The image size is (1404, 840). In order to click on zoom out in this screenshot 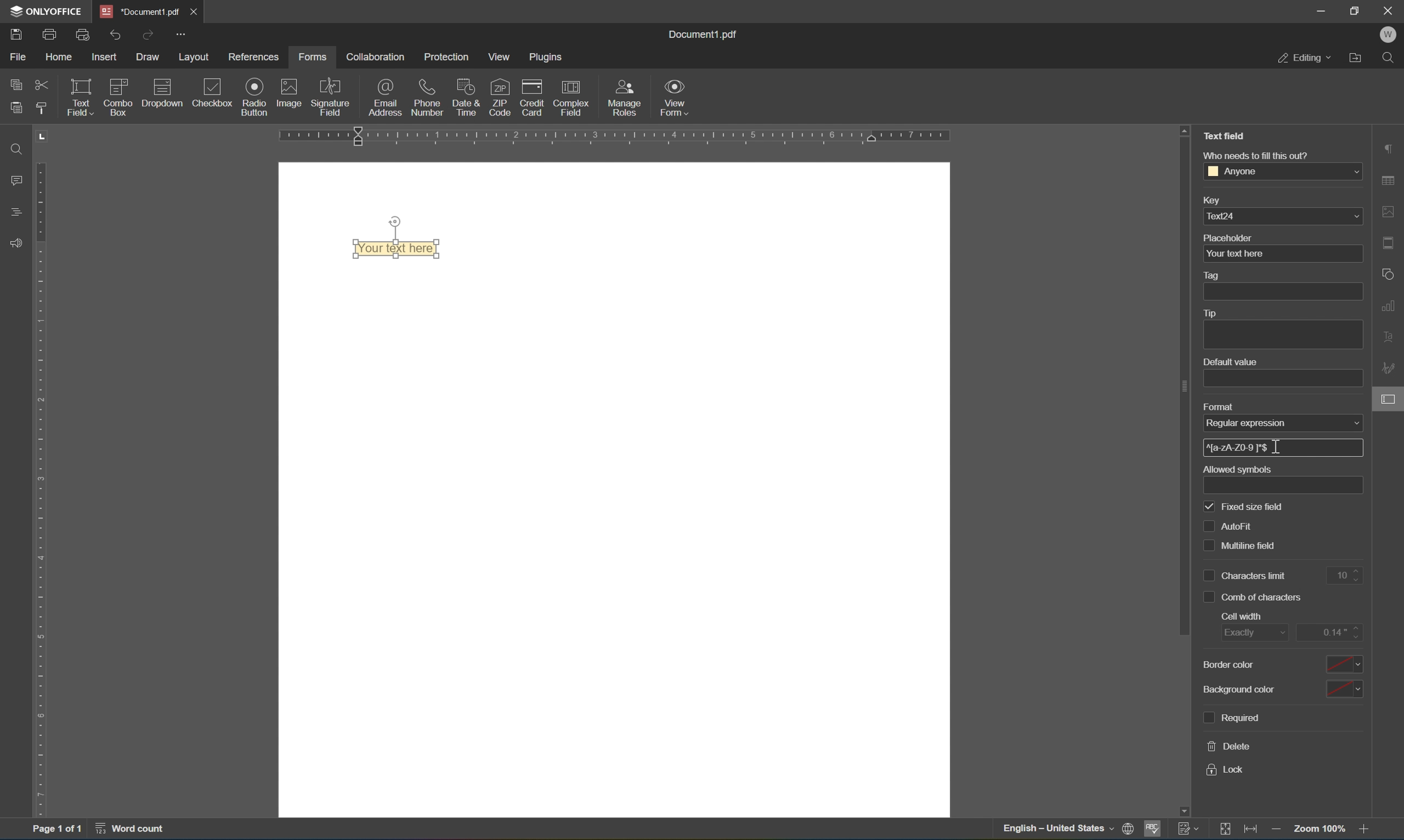, I will do `click(1322, 829)`.